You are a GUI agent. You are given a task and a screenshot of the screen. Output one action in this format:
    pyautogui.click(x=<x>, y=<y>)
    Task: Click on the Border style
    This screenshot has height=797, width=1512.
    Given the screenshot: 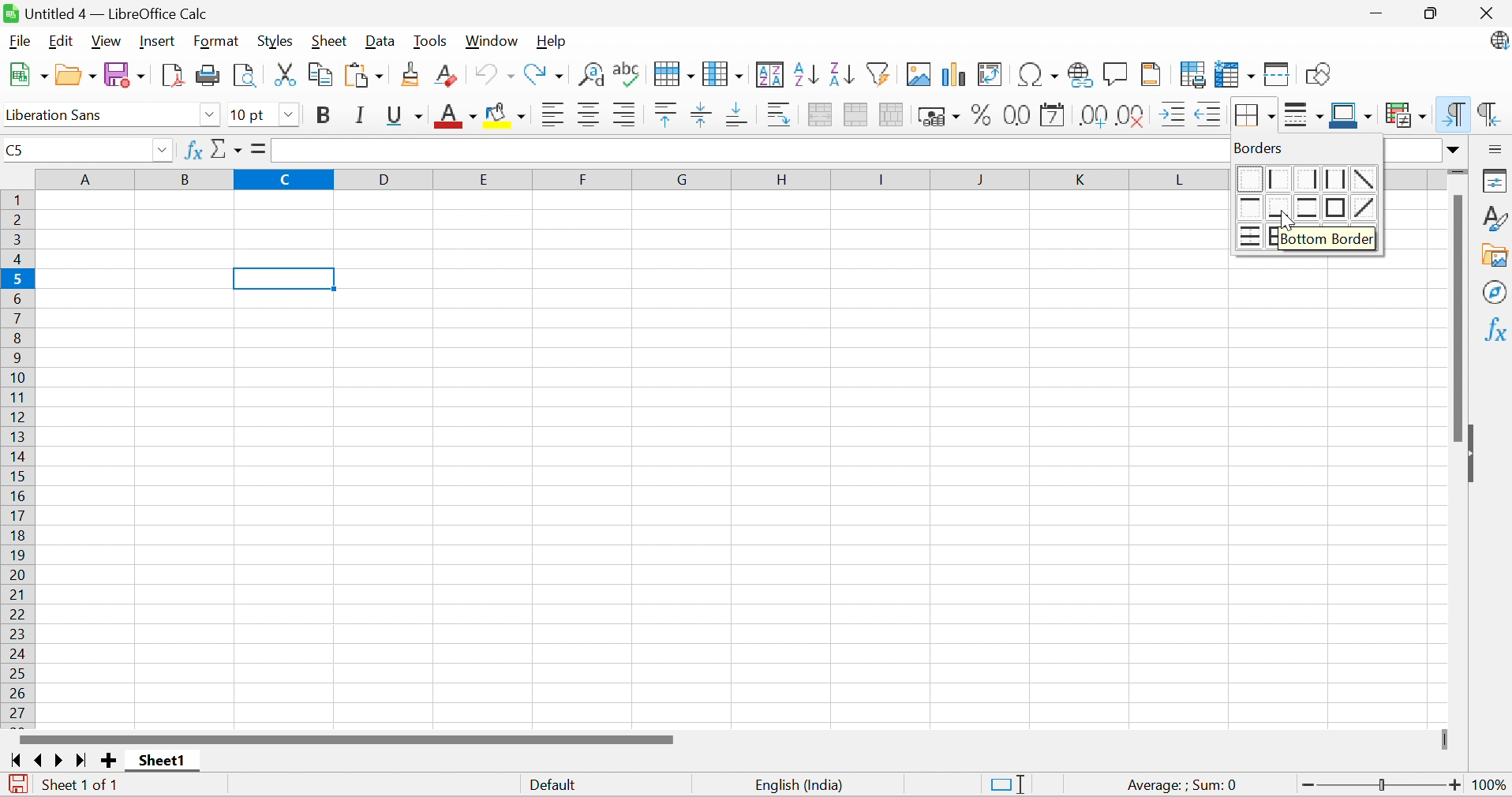 What is the action you would take?
    pyautogui.click(x=1305, y=118)
    